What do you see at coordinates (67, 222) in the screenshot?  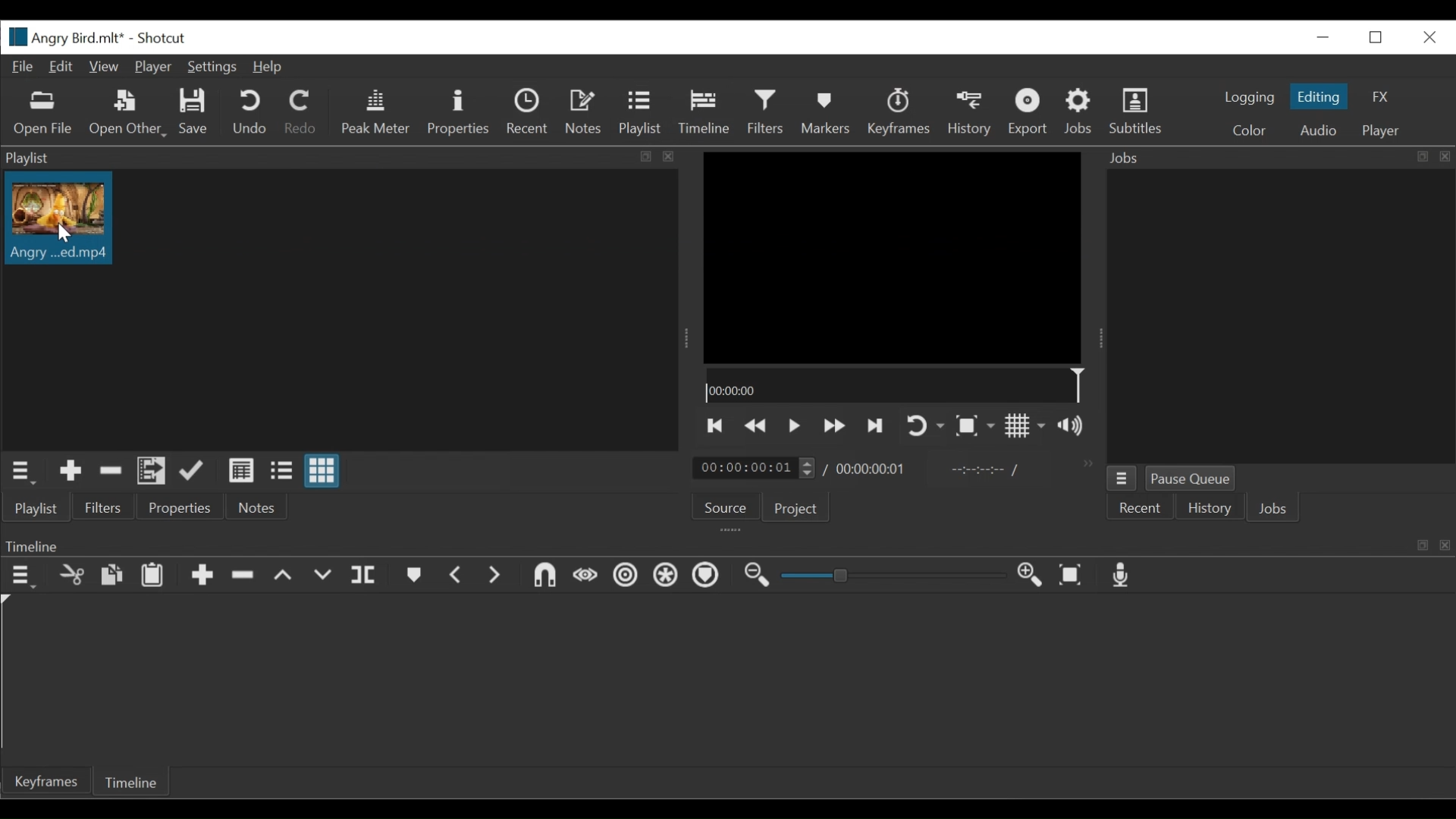 I see `Clip ` at bounding box center [67, 222].